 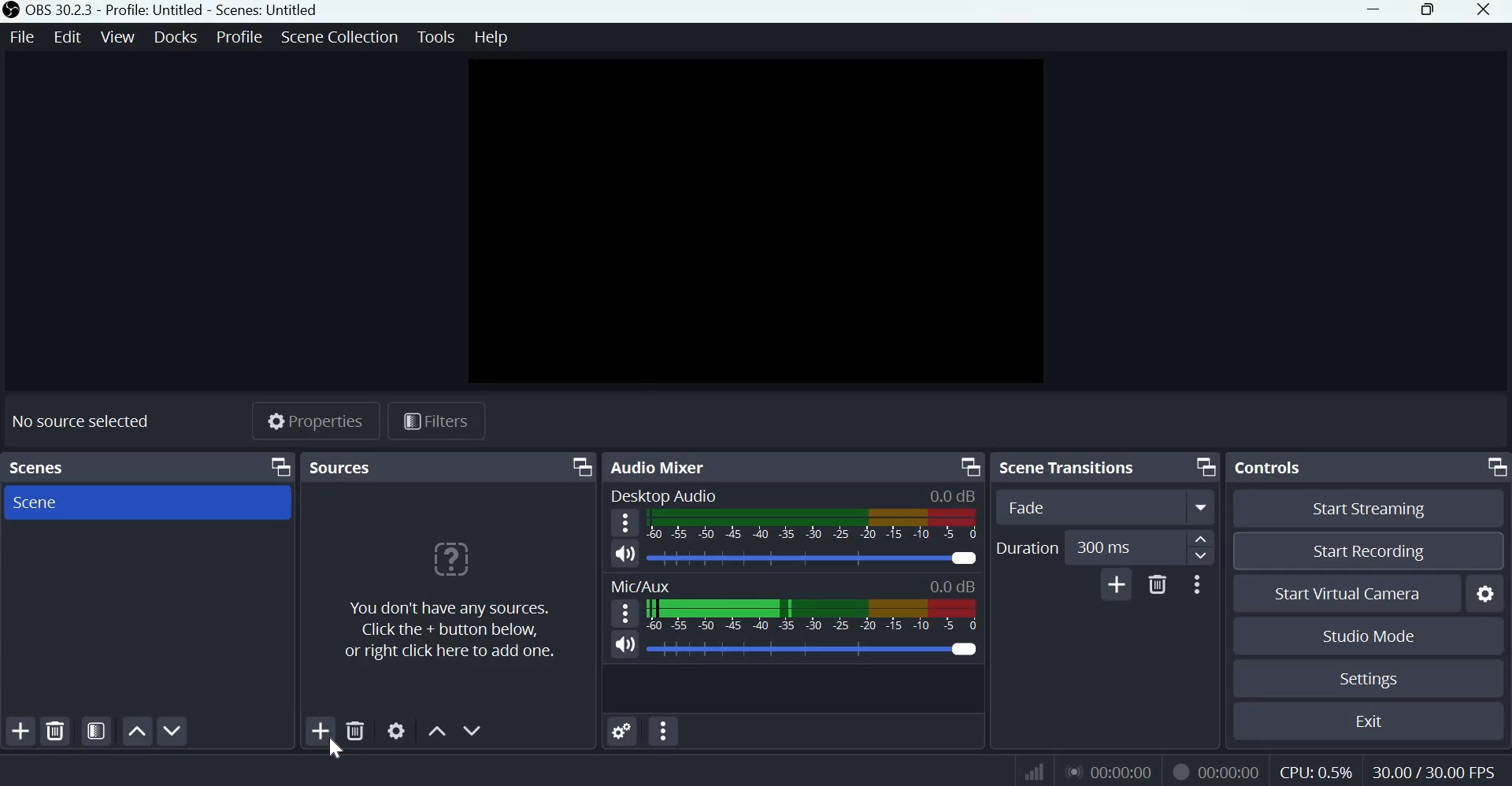 What do you see at coordinates (620, 730) in the screenshot?
I see `Advanced Audio Properties` at bounding box center [620, 730].